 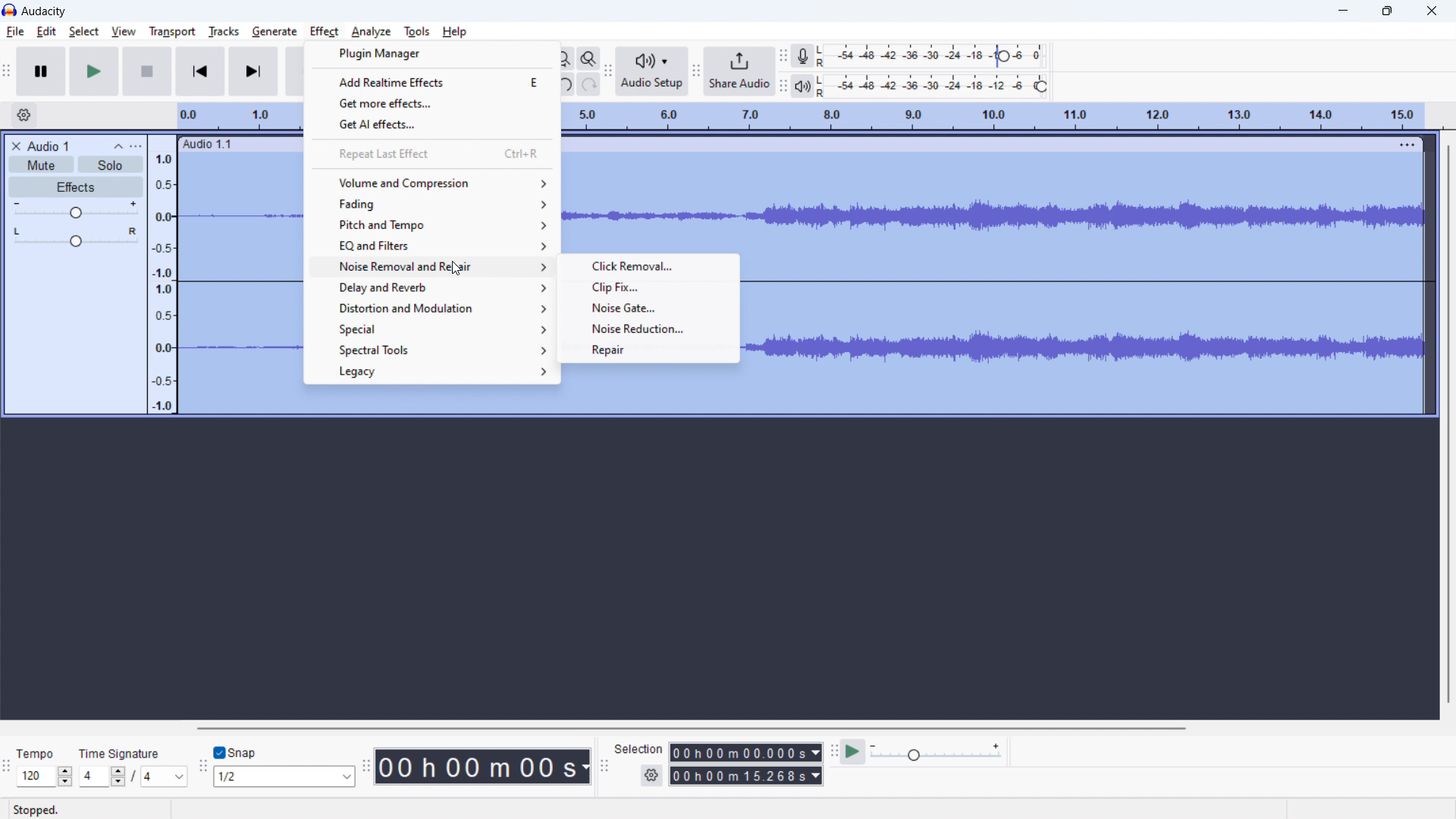 I want to click on distortion and modulation, so click(x=428, y=307).